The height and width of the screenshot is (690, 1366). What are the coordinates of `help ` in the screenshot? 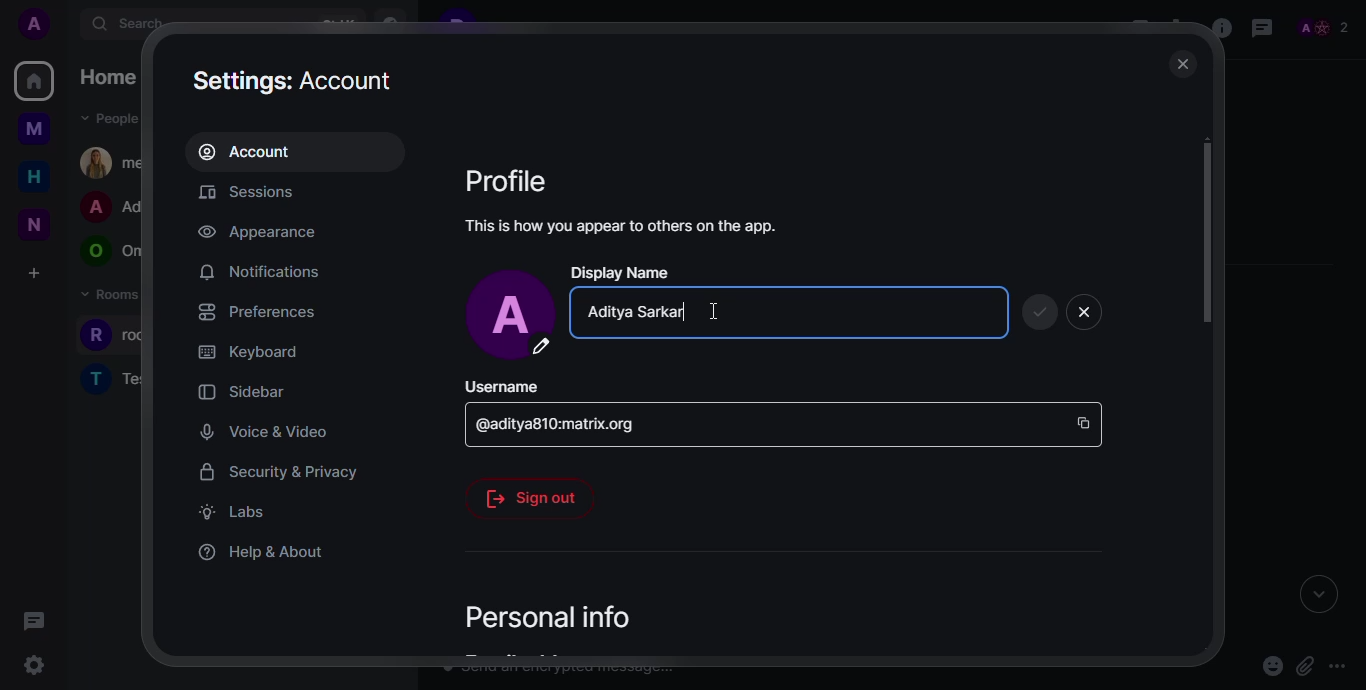 It's located at (262, 551).